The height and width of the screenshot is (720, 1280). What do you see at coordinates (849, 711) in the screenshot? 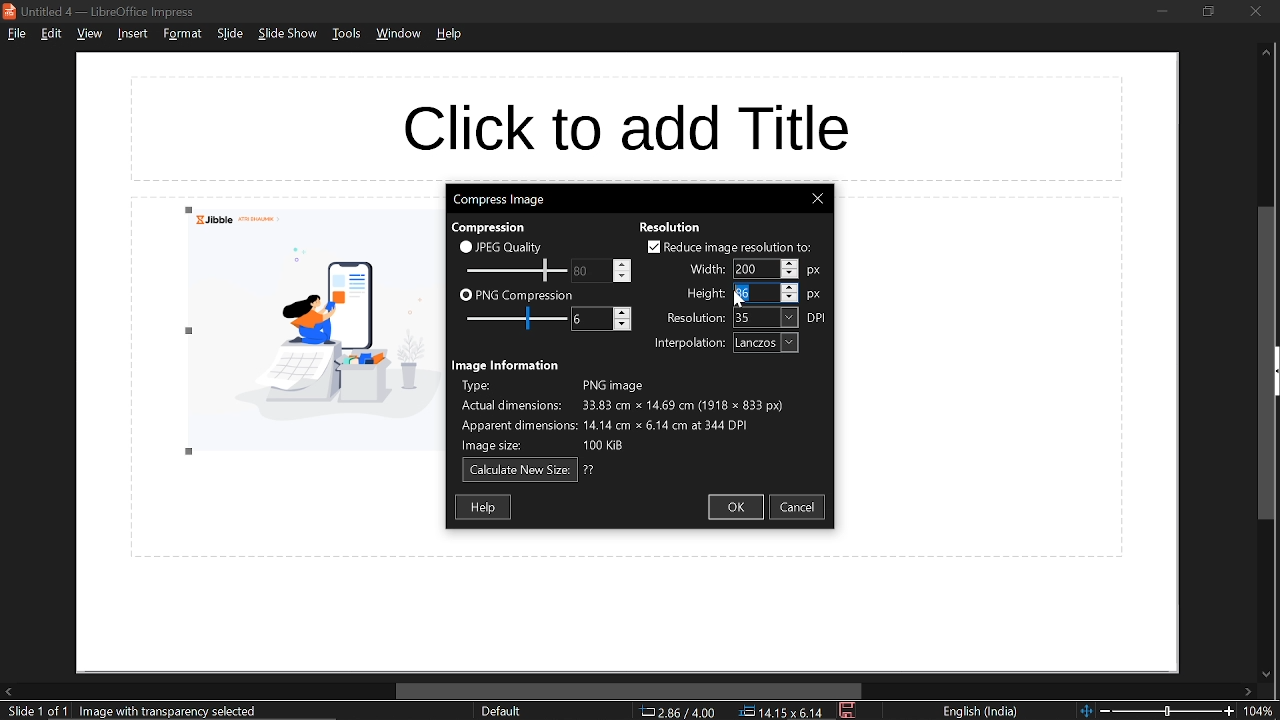
I see `save` at bounding box center [849, 711].